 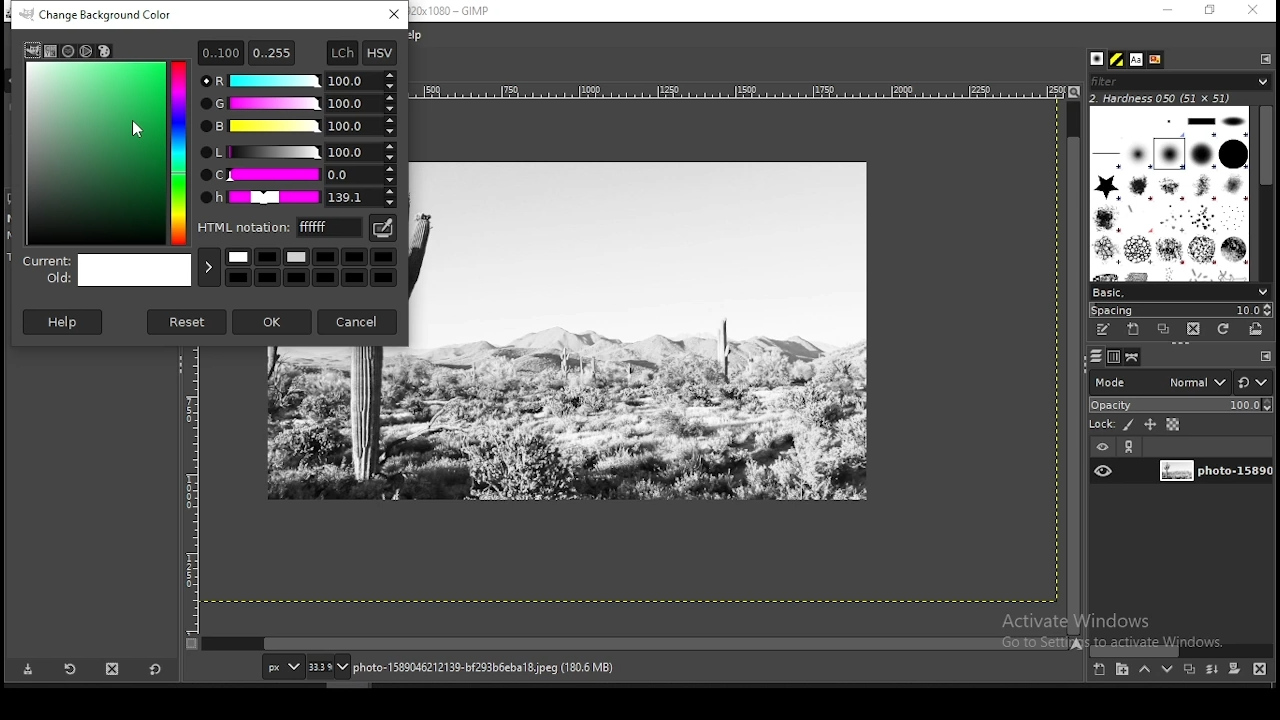 I want to click on 0.255, so click(x=272, y=50).